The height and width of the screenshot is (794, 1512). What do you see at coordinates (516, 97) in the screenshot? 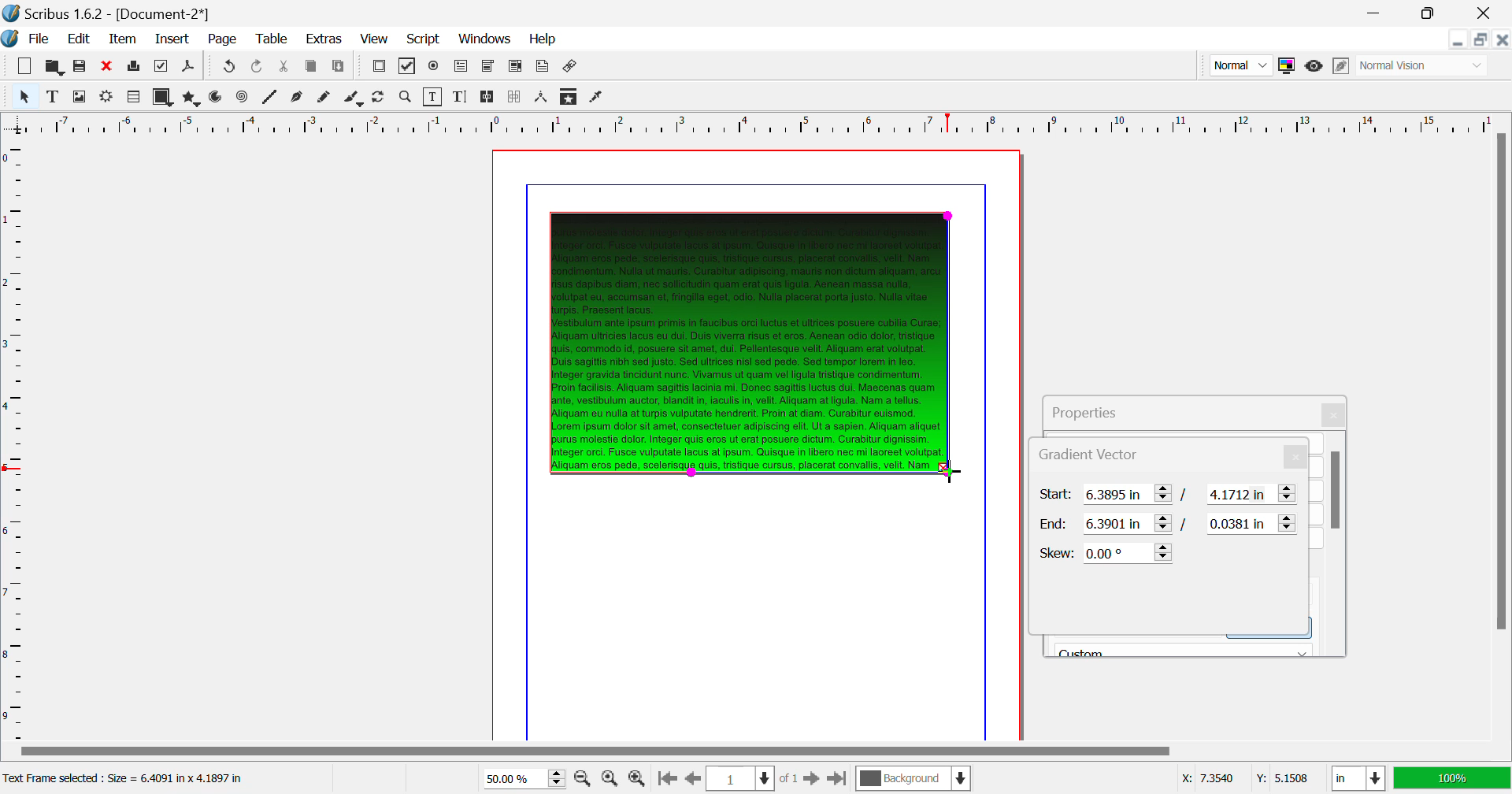
I see `Delink Frames` at bounding box center [516, 97].